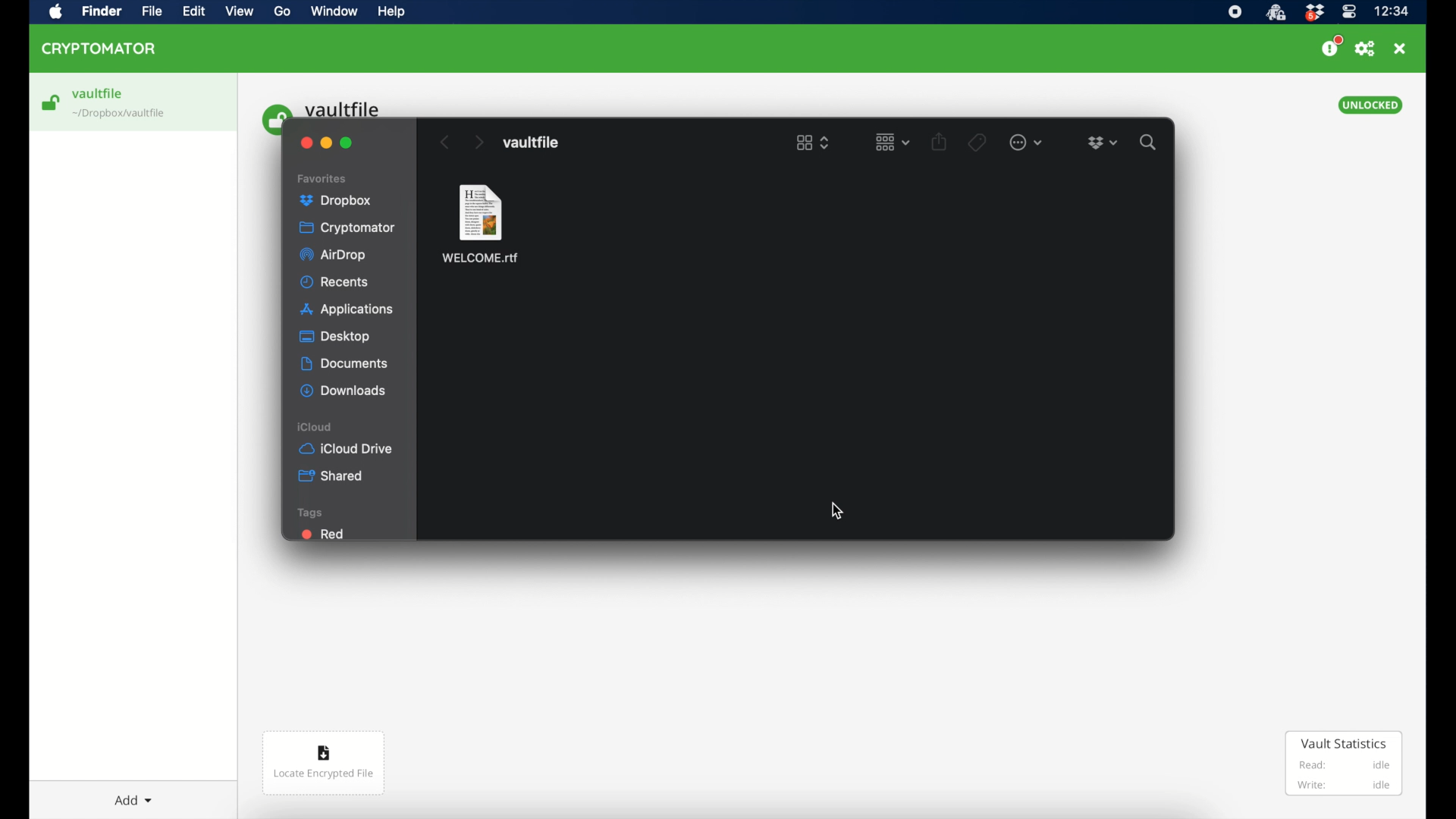 This screenshot has height=819, width=1456. What do you see at coordinates (315, 427) in the screenshot?
I see `icloud` at bounding box center [315, 427].